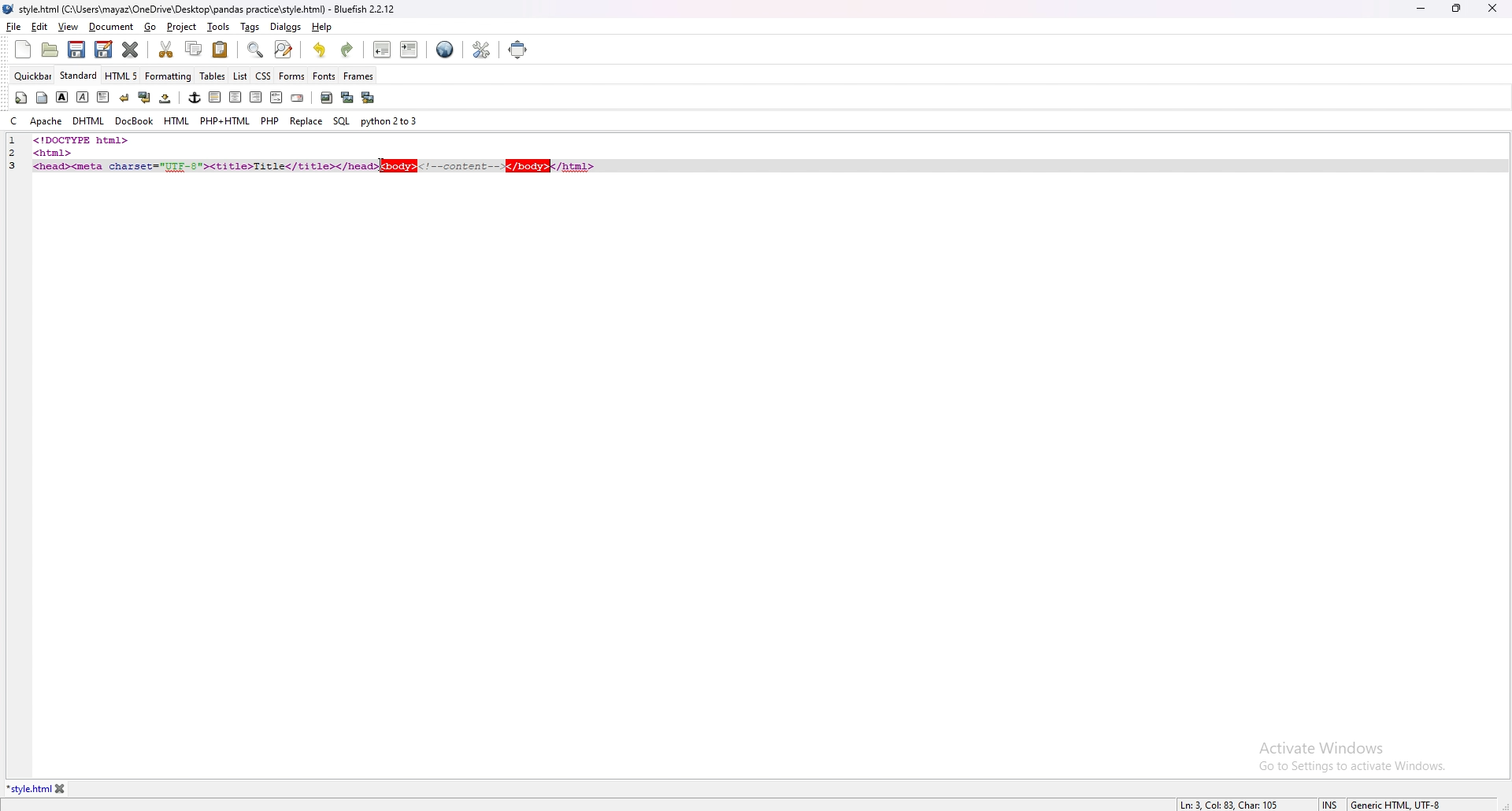  I want to click on close tab, so click(61, 789).